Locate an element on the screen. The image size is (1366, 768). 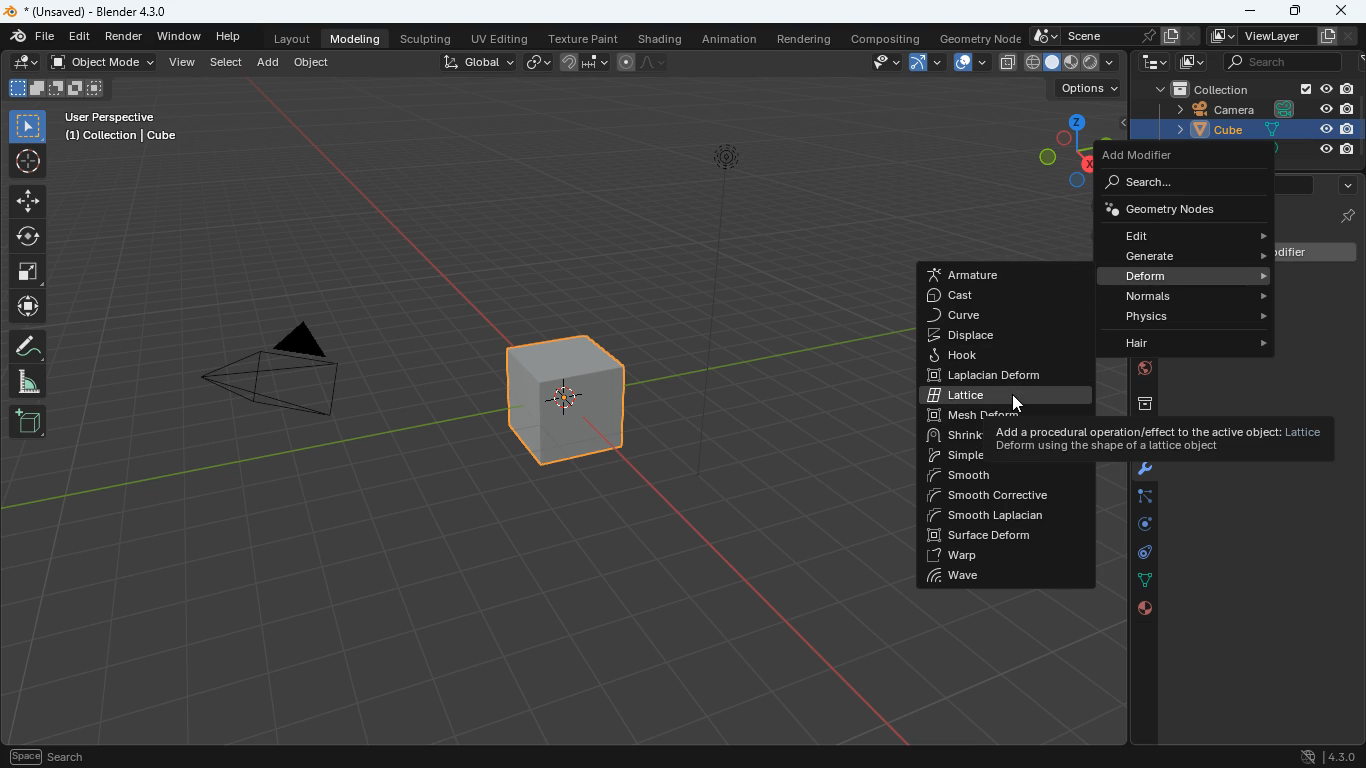
normals is located at coordinates (1197, 298).